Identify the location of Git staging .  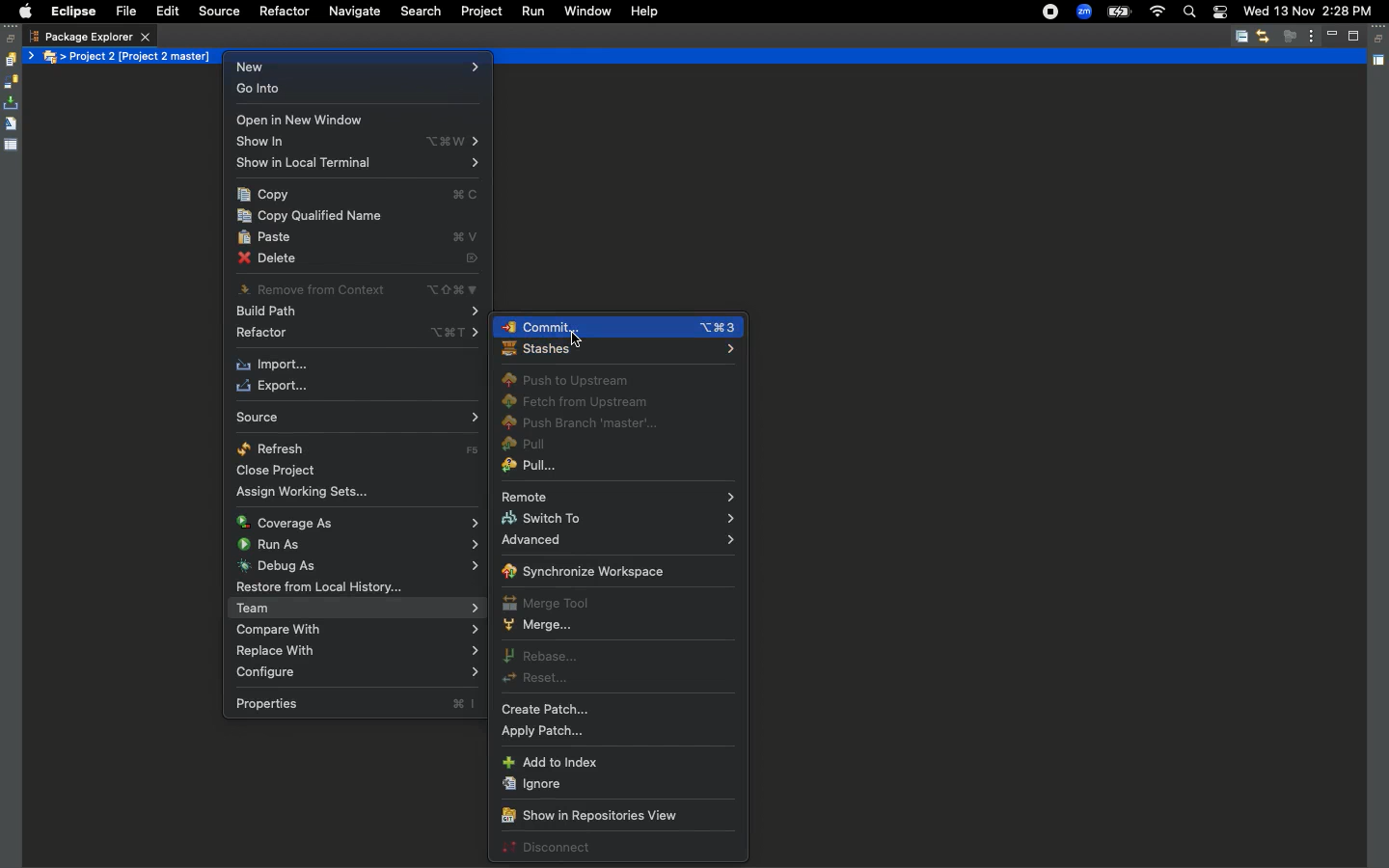
(13, 103).